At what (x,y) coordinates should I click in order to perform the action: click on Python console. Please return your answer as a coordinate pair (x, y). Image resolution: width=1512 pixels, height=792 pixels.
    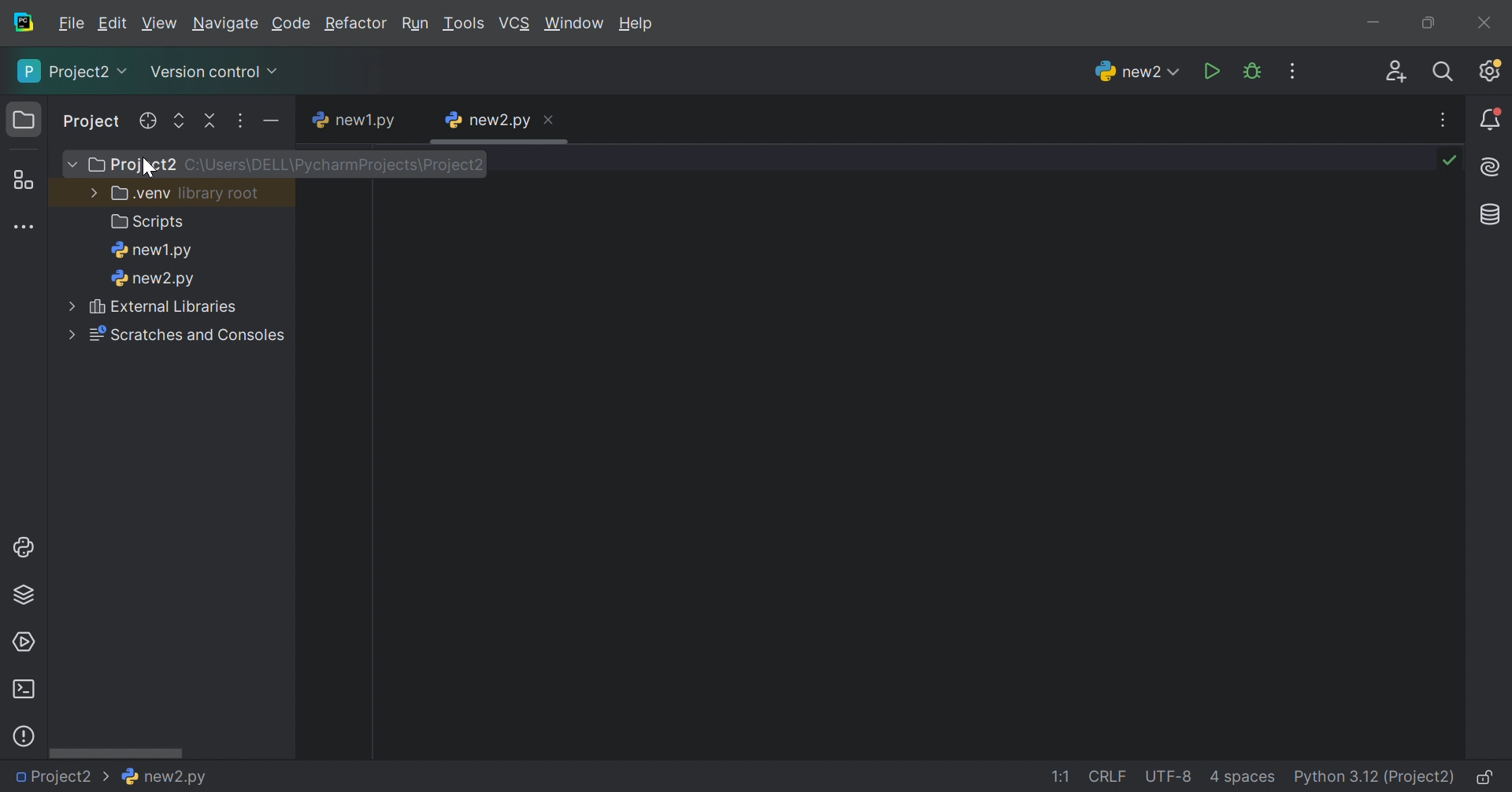
    Looking at the image, I should click on (21, 547).